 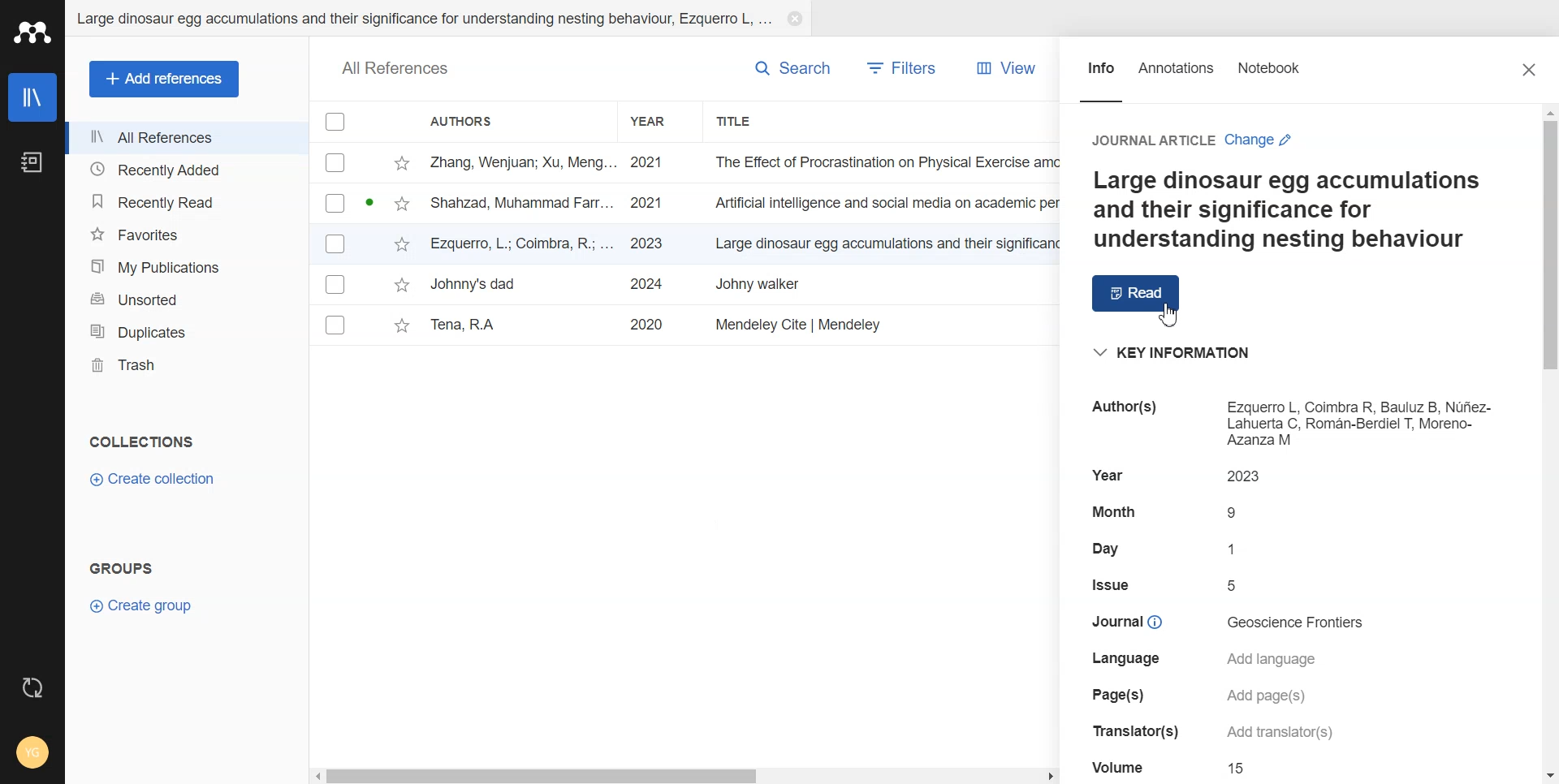 What do you see at coordinates (1531, 71) in the screenshot?
I see `Close` at bounding box center [1531, 71].